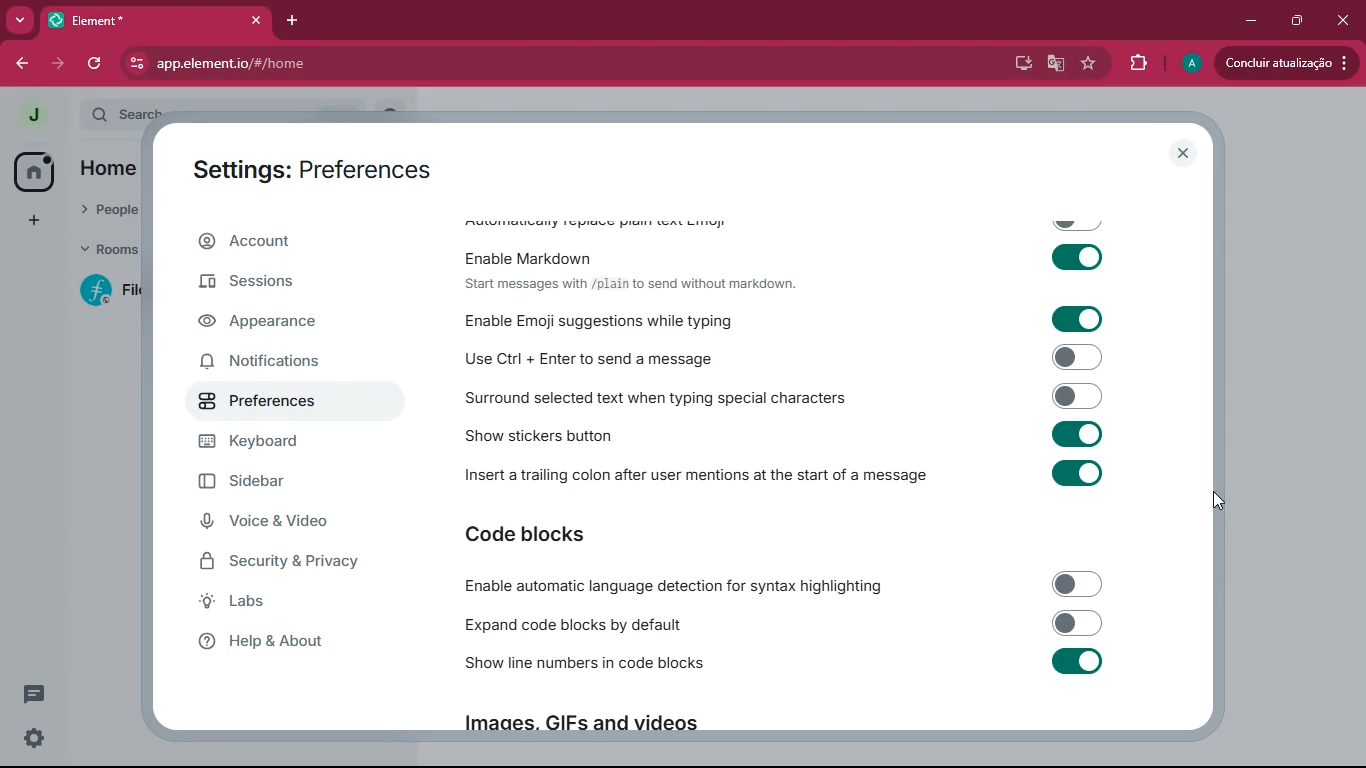 The height and width of the screenshot is (768, 1366). What do you see at coordinates (114, 293) in the screenshot?
I see `filecoin lotus implementation ` at bounding box center [114, 293].